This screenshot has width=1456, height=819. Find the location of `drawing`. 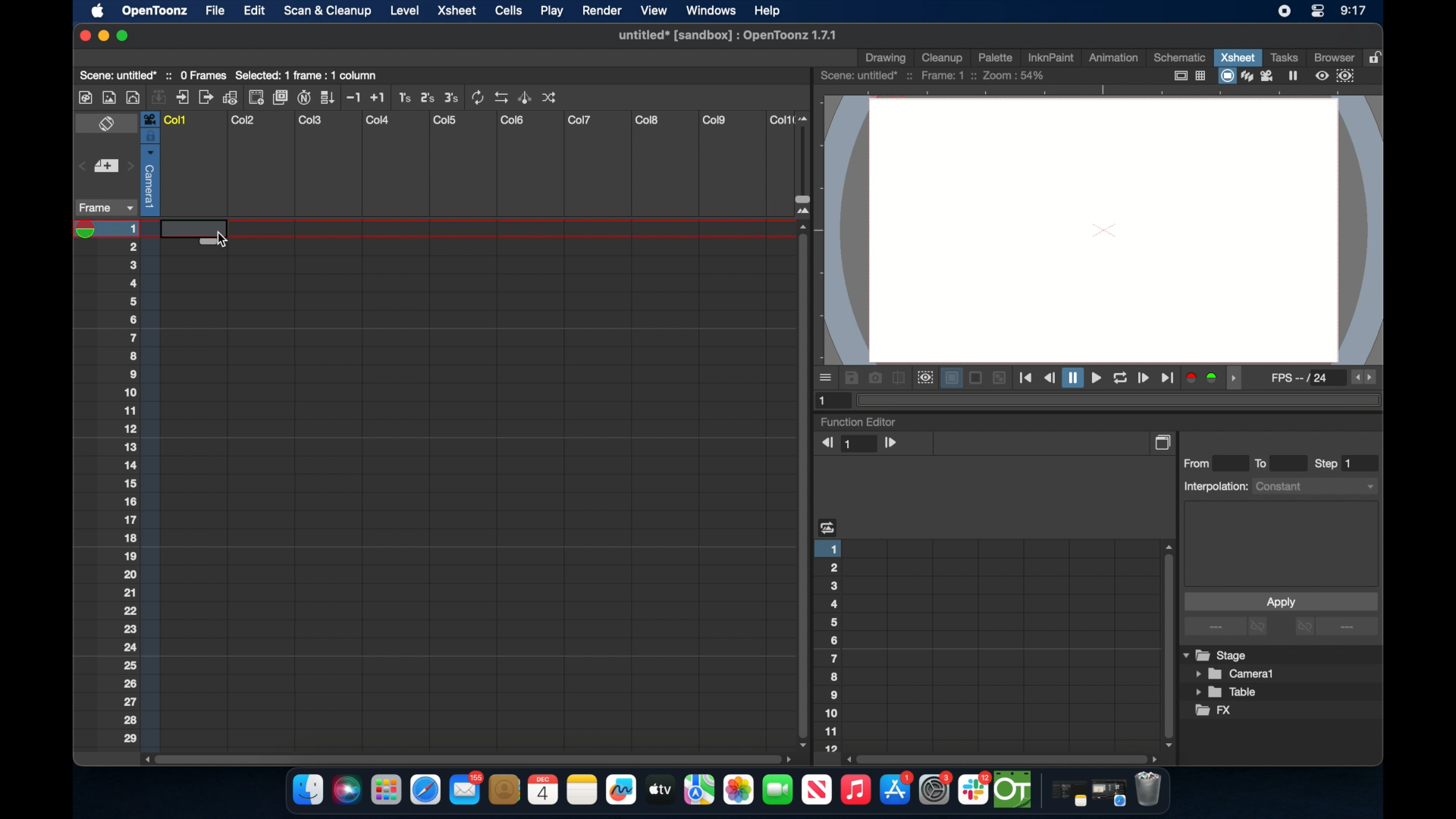

drawing is located at coordinates (887, 58).